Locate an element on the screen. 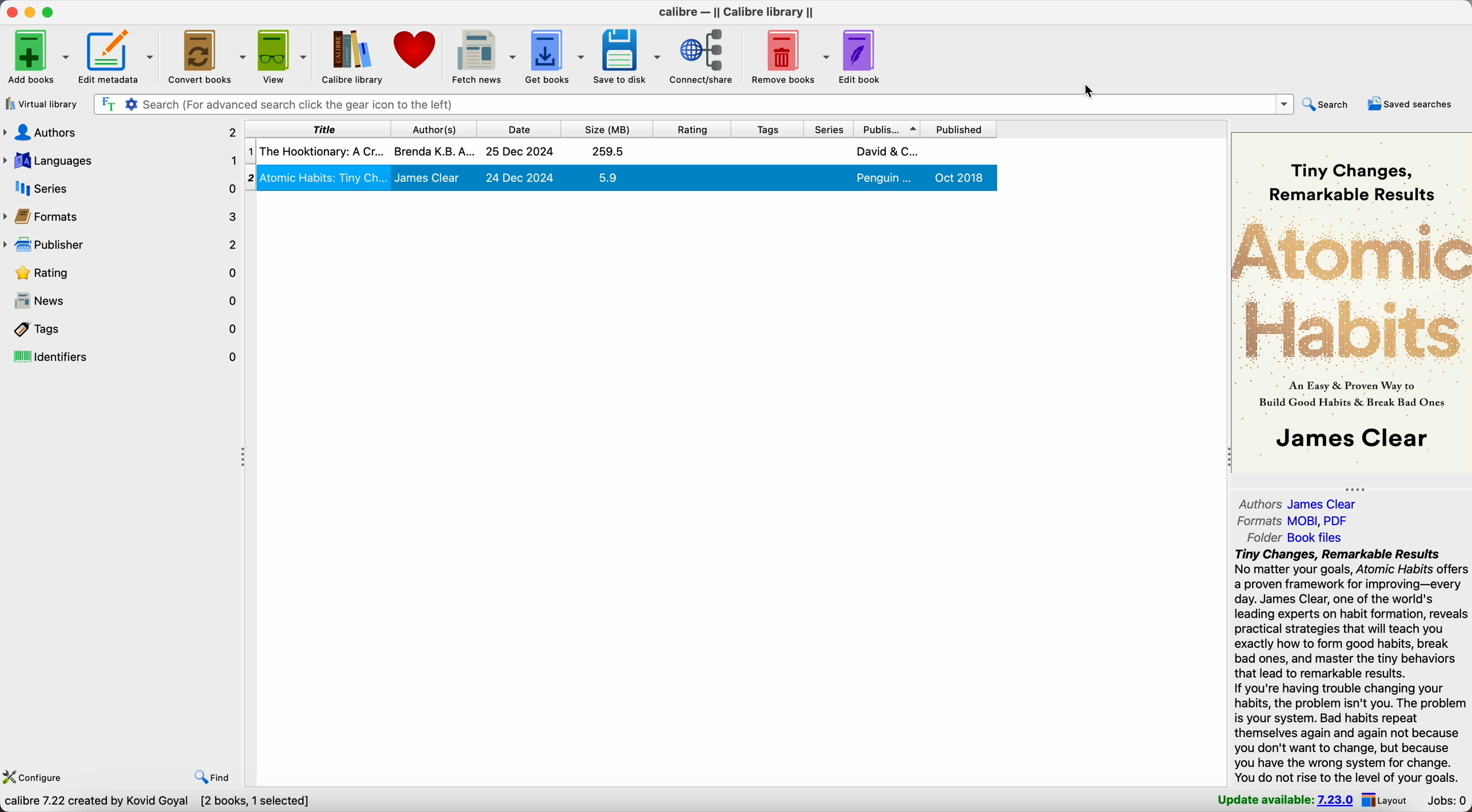  formats is located at coordinates (122, 216).